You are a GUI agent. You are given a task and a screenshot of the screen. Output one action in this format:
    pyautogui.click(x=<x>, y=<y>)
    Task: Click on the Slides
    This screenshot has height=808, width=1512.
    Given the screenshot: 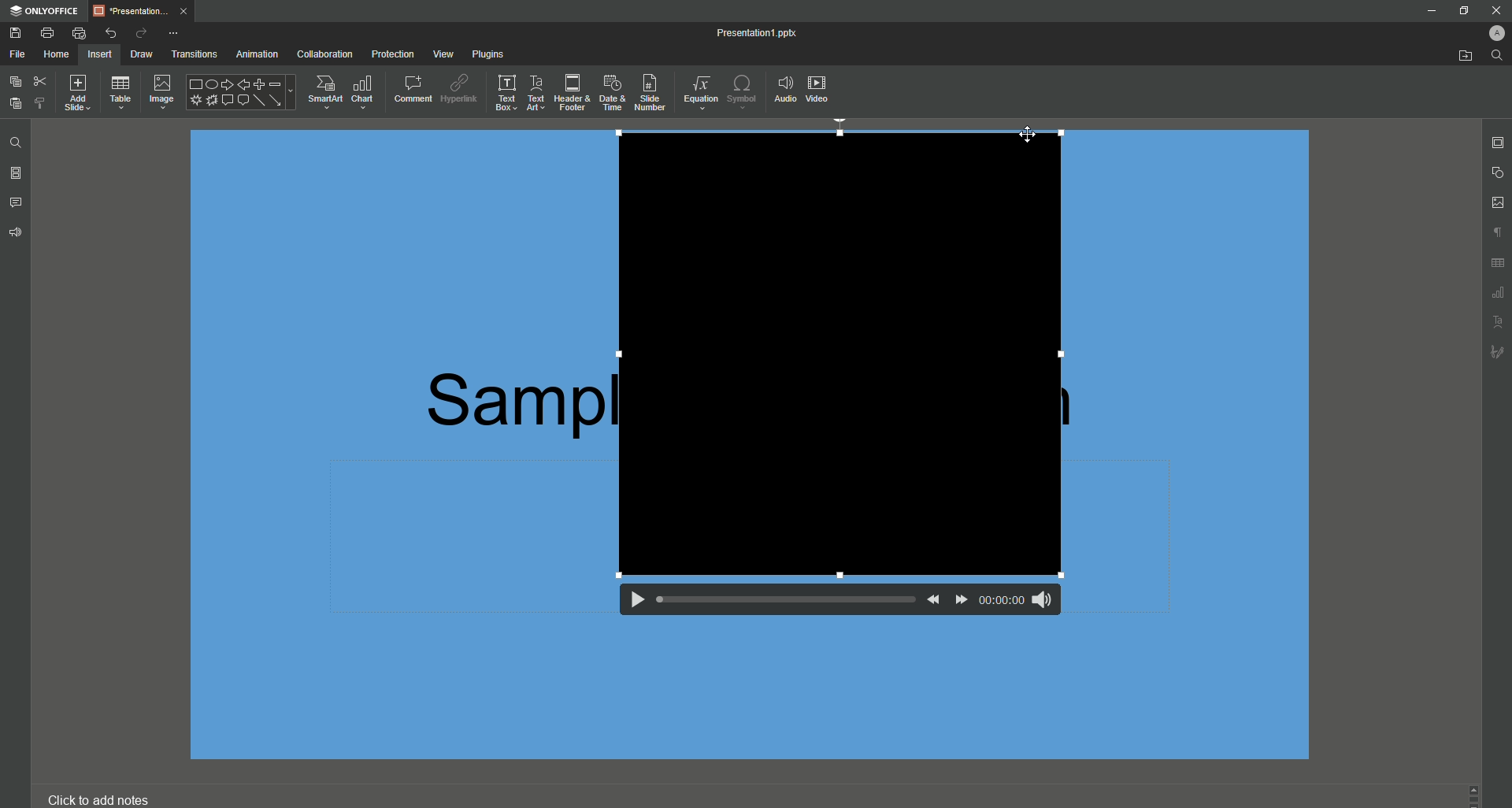 What is the action you would take?
    pyautogui.click(x=16, y=175)
    